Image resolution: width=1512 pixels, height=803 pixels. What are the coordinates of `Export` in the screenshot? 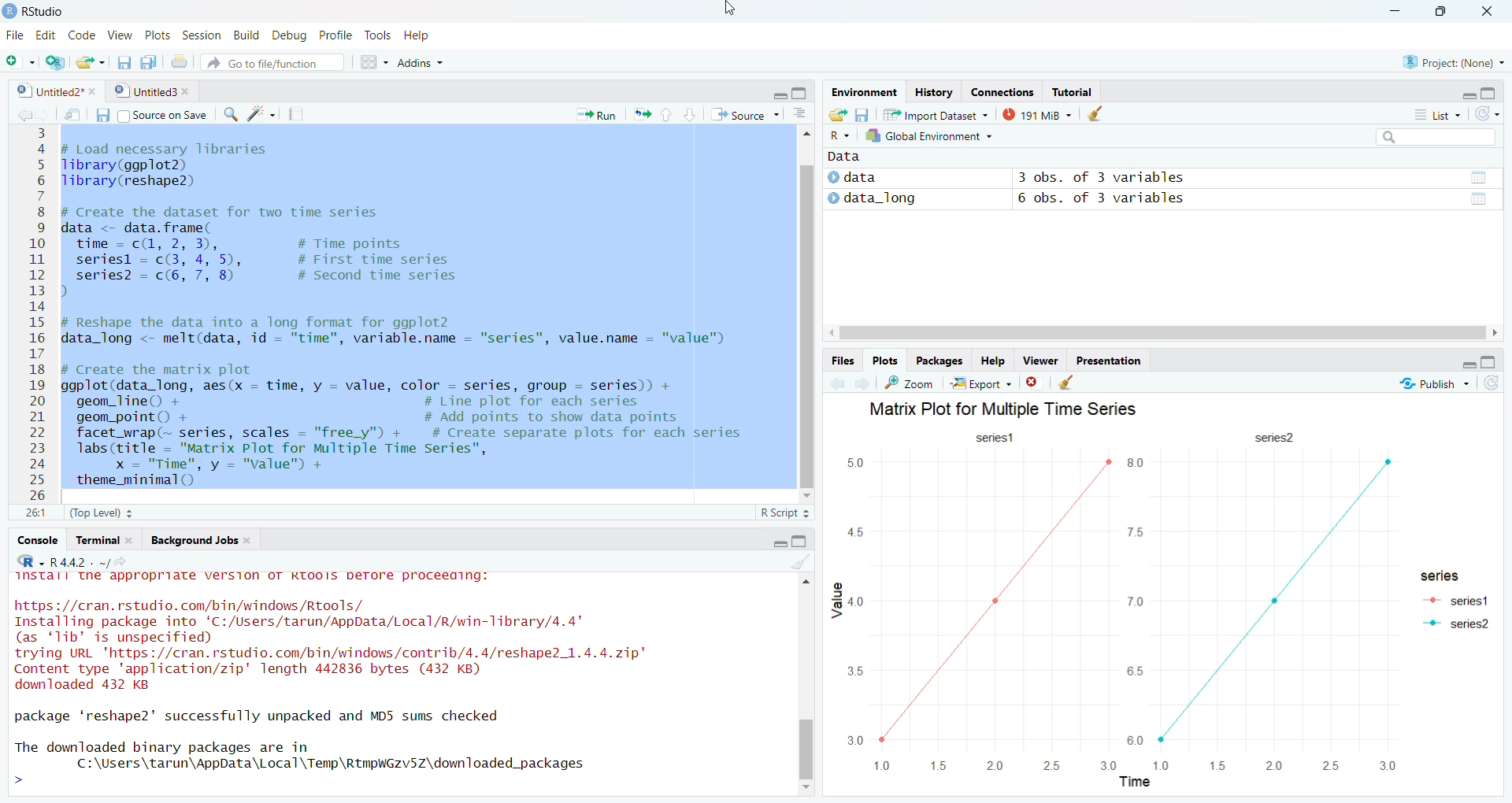 It's located at (980, 383).